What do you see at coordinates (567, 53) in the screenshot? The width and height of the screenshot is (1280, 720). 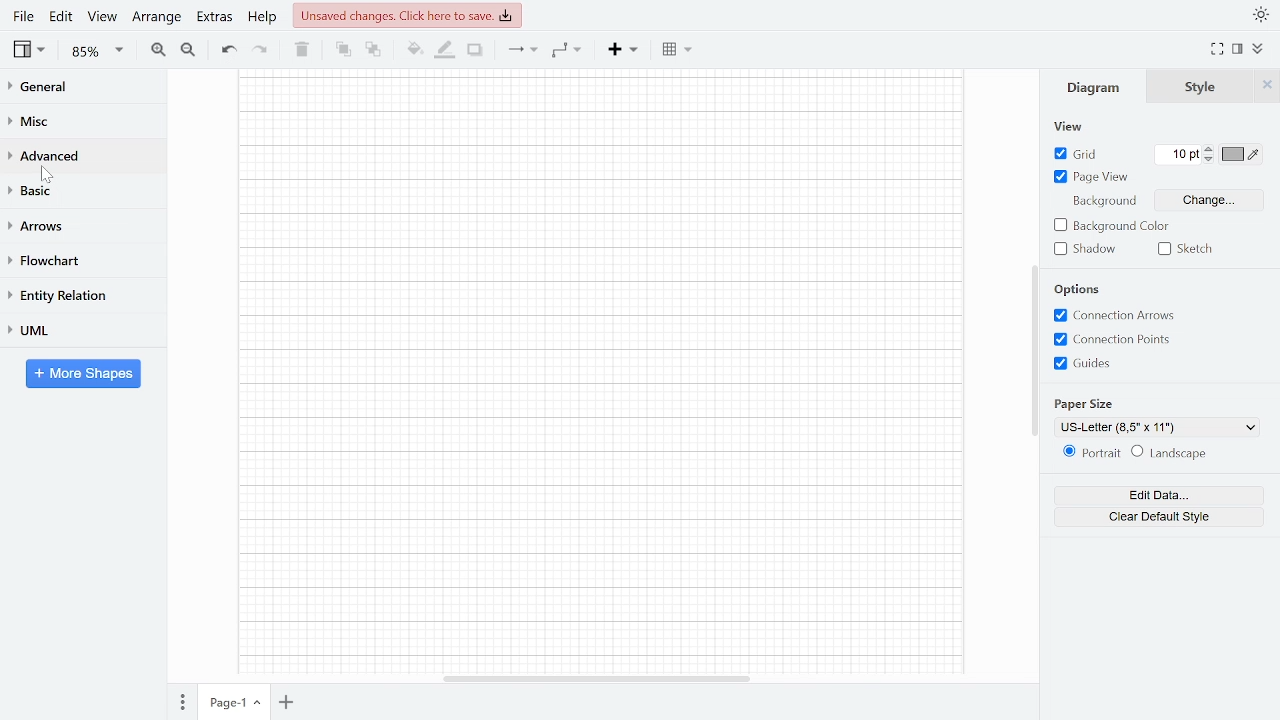 I see `Waypoints` at bounding box center [567, 53].